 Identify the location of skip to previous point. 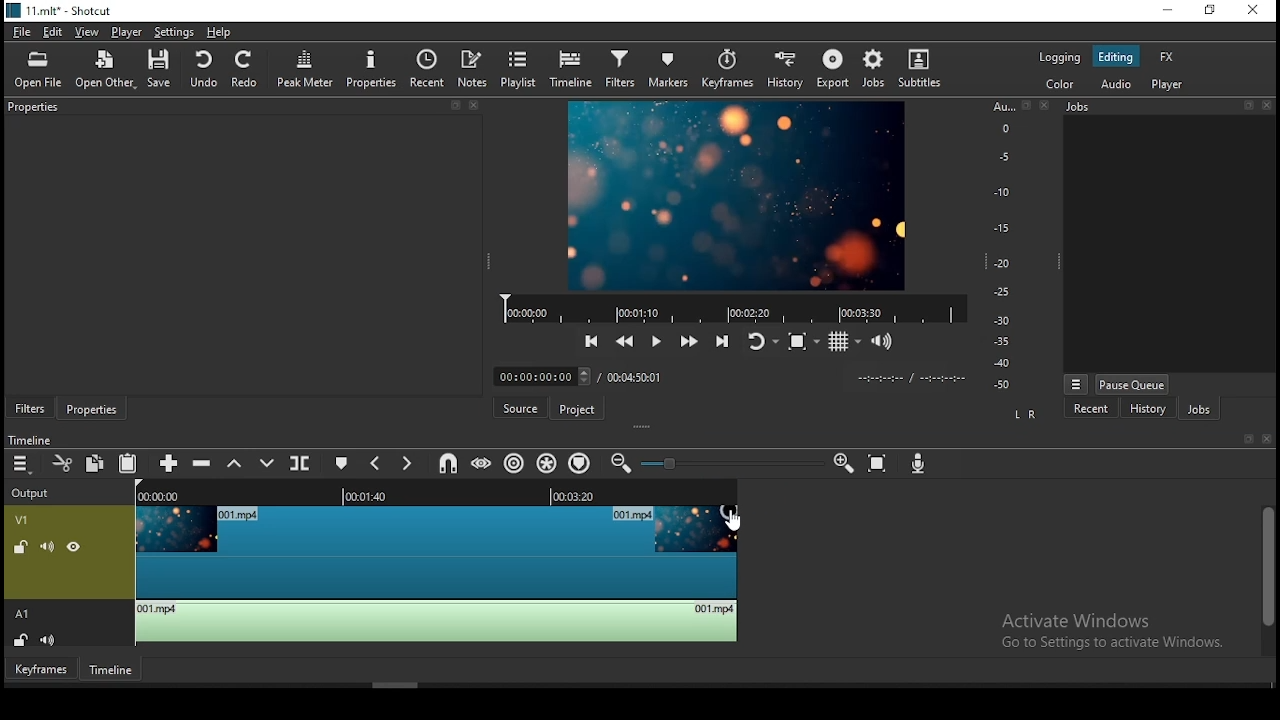
(592, 341).